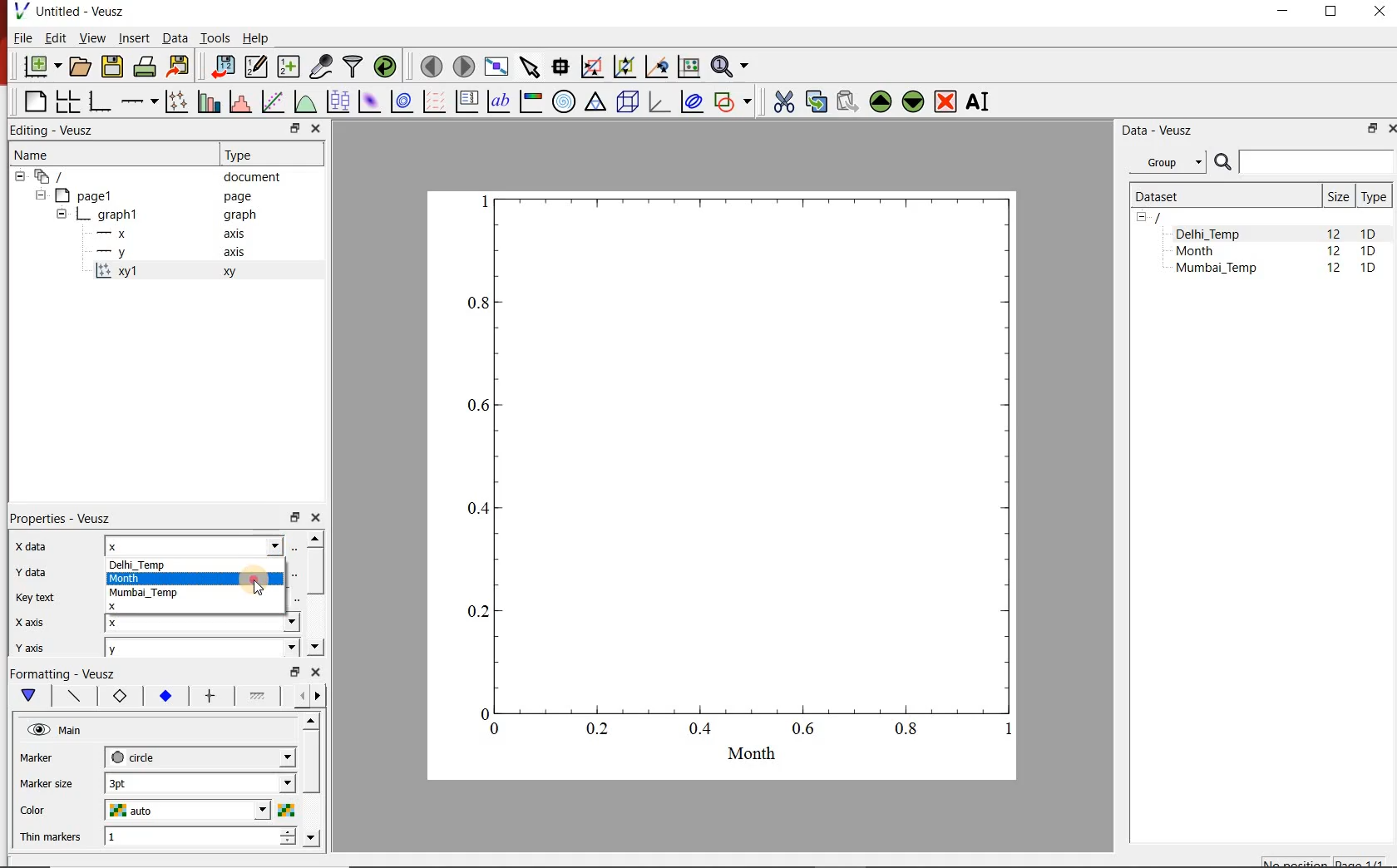 Image resolution: width=1397 pixels, height=868 pixels. What do you see at coordinates (385, 65) in the screenshot?
I see `reload linked datasets` at bounding box center [385, 65].